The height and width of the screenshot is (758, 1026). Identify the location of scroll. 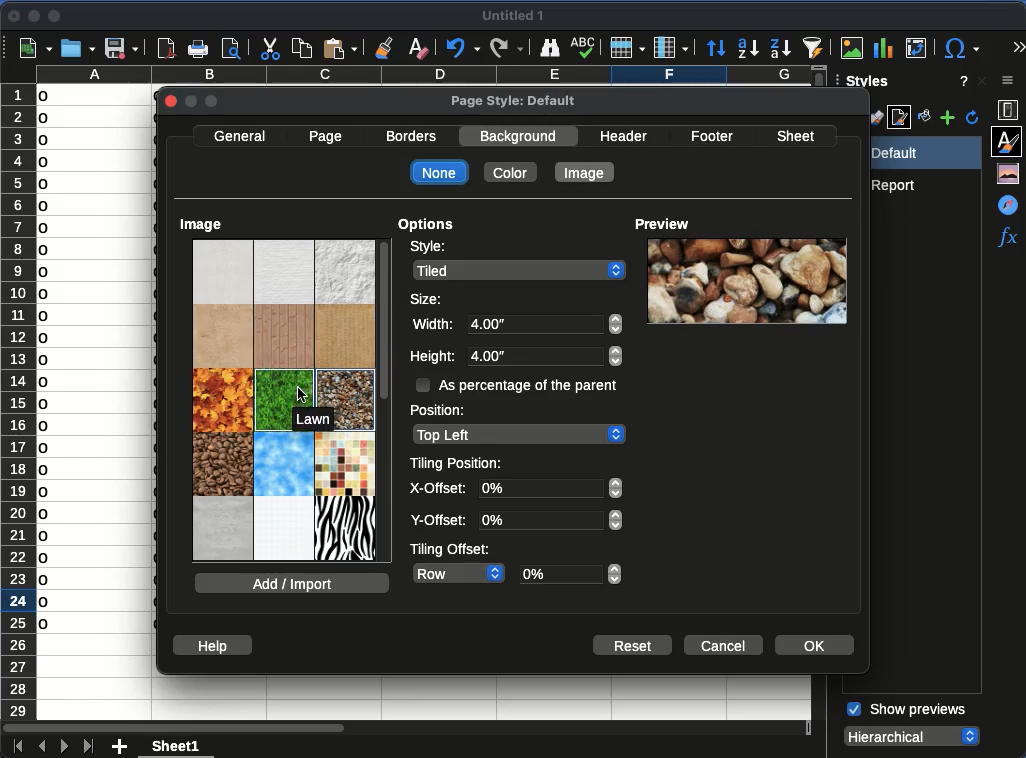
(385, 400).